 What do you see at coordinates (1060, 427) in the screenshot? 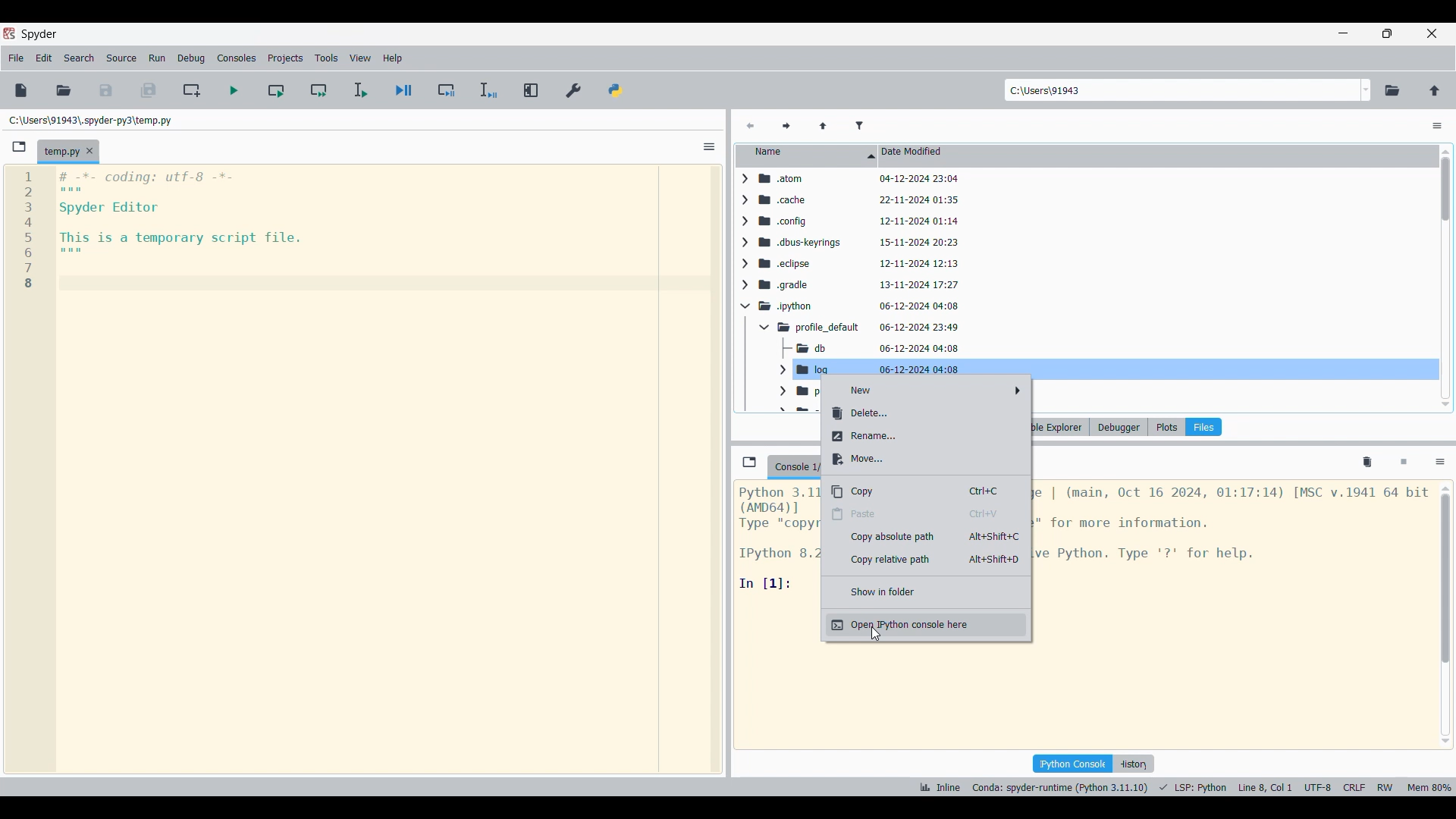
I see `Variable explorer` at bounding box center [1060, 427].